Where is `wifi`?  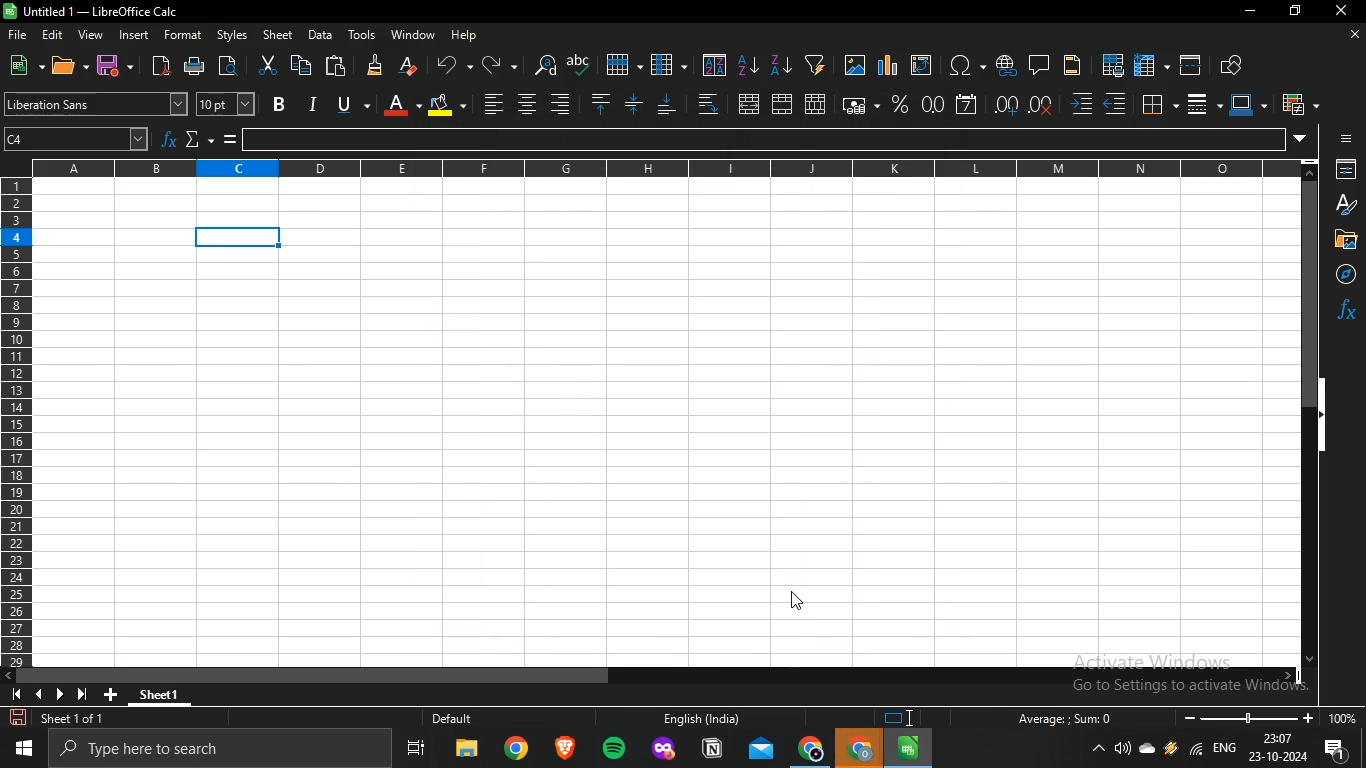
wifi is located at coordinates (1196, 753).